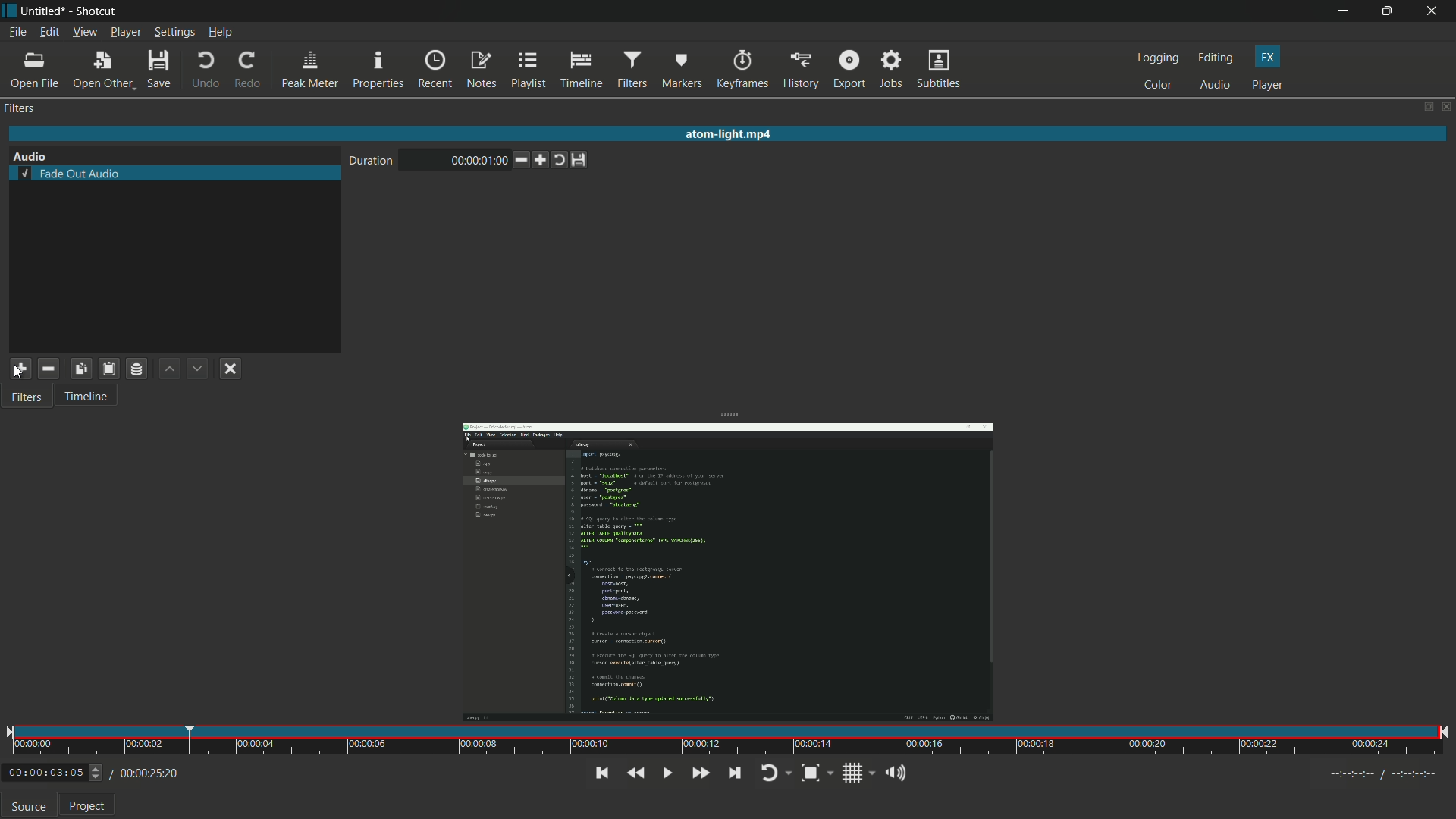 The height and width of the screenshot is (819, 1456). Describe the element at coordinates (135, 369) in the screenshot. I see `save a filter set` at that location.